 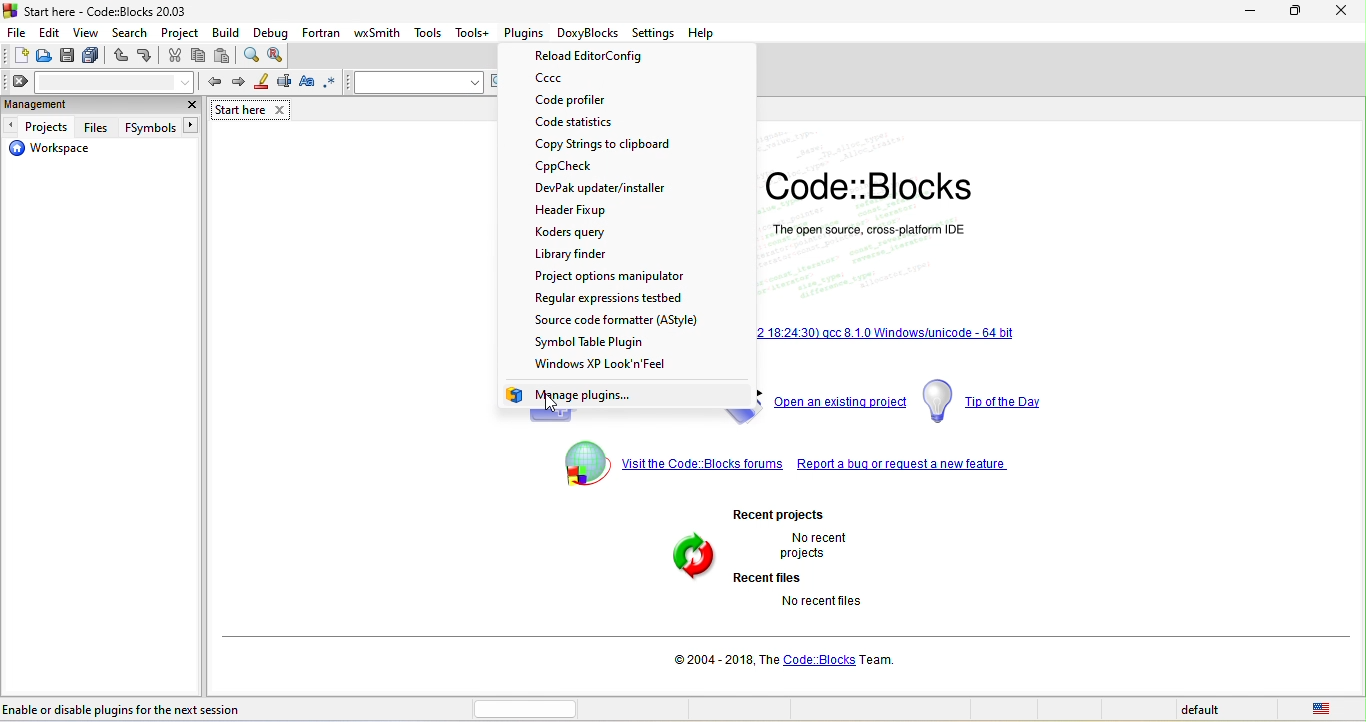 What do you see at coordinates (236, 82) in the screenshot?
I see `next` at bounding box center [236, 82].